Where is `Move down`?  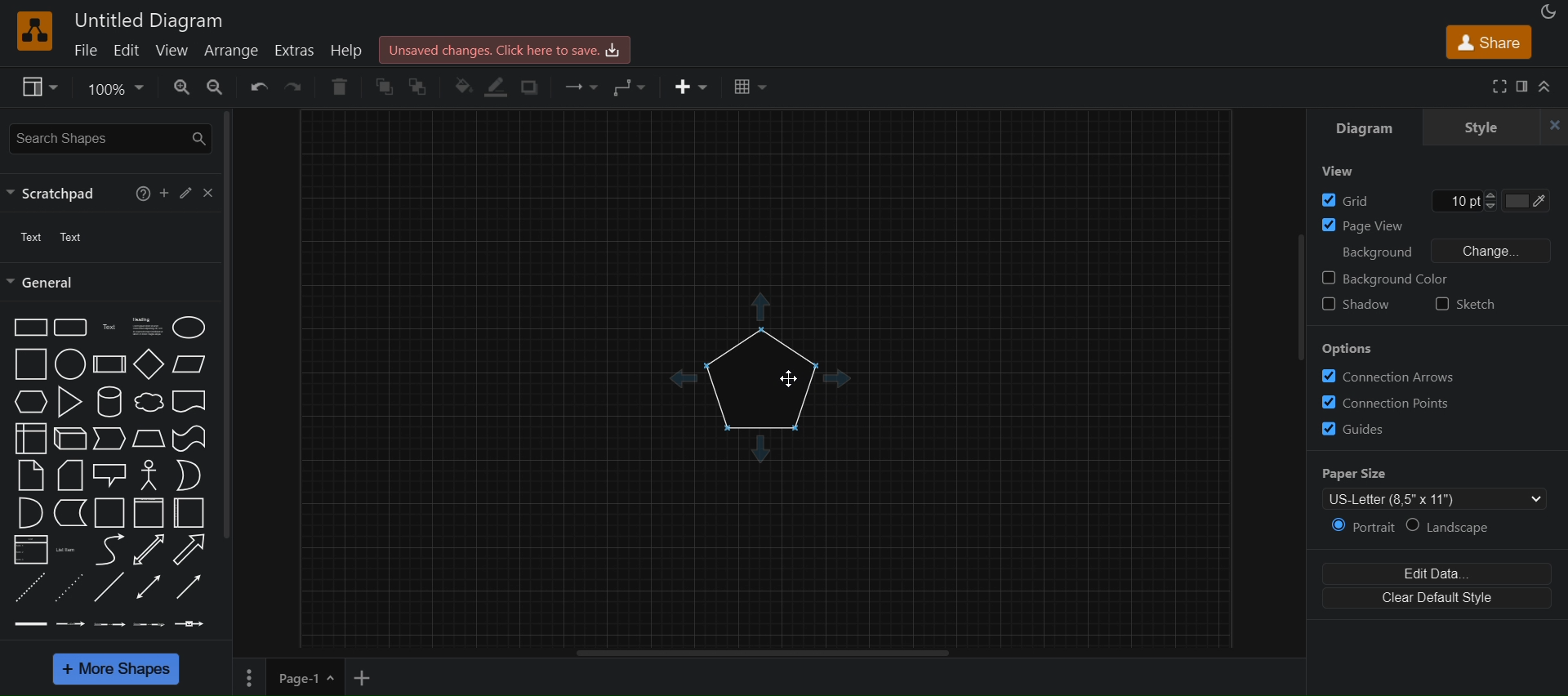 Move down is located at coordinates (760, 448).